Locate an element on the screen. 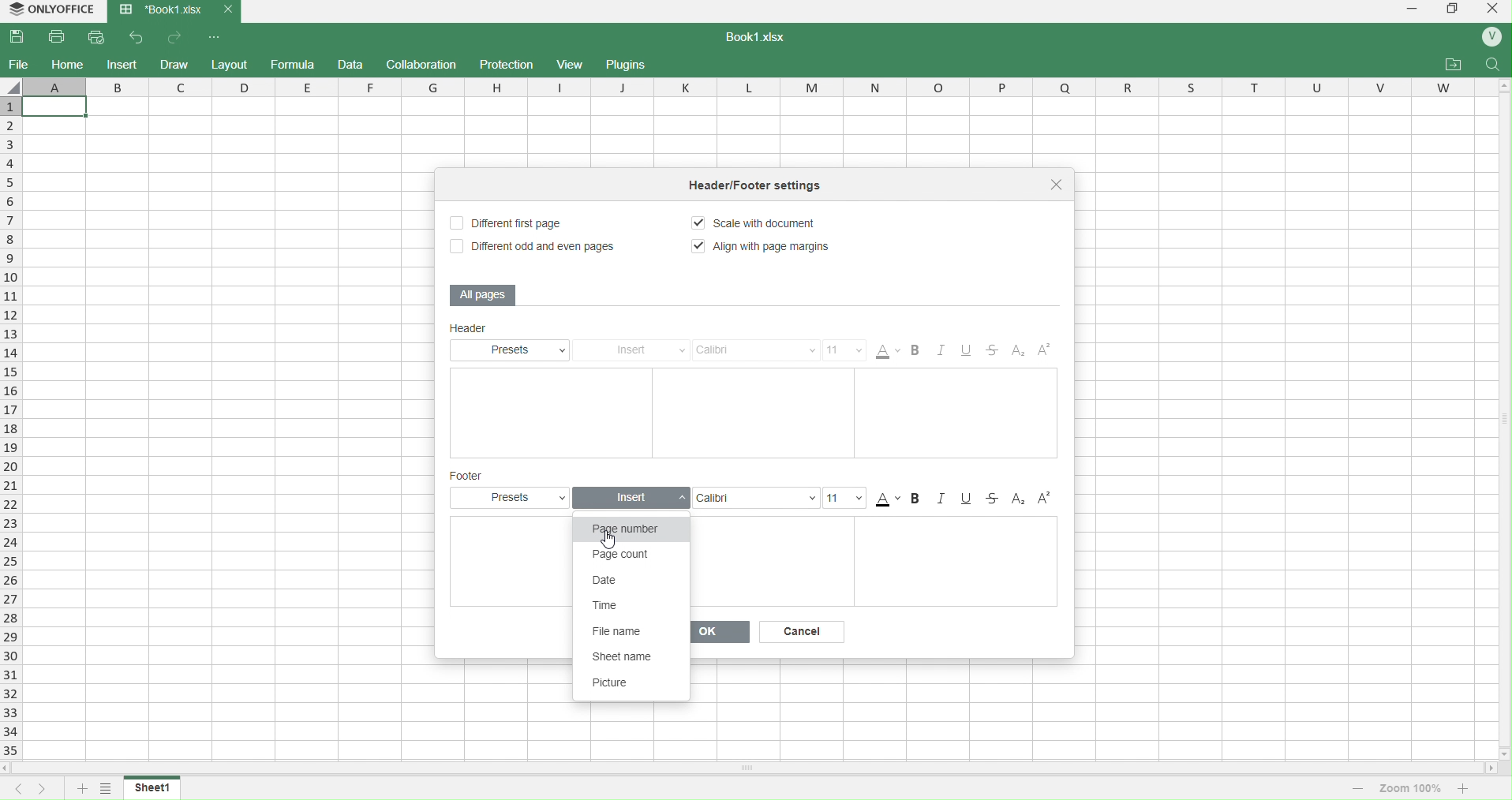 The image size is (1512, 800). All Pages is located at coordinates (485, 294).